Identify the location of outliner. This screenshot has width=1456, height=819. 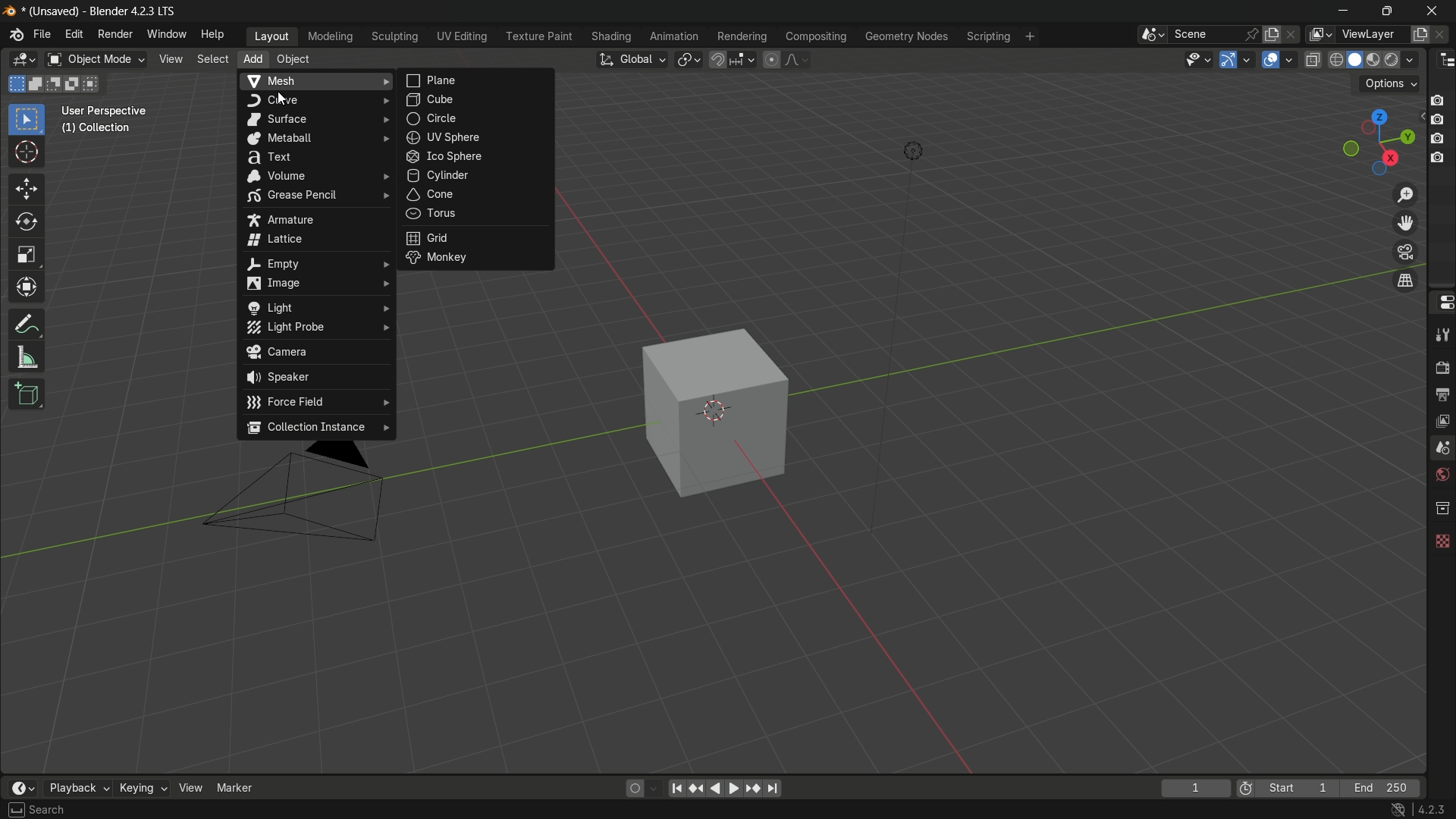
(1443, 60).